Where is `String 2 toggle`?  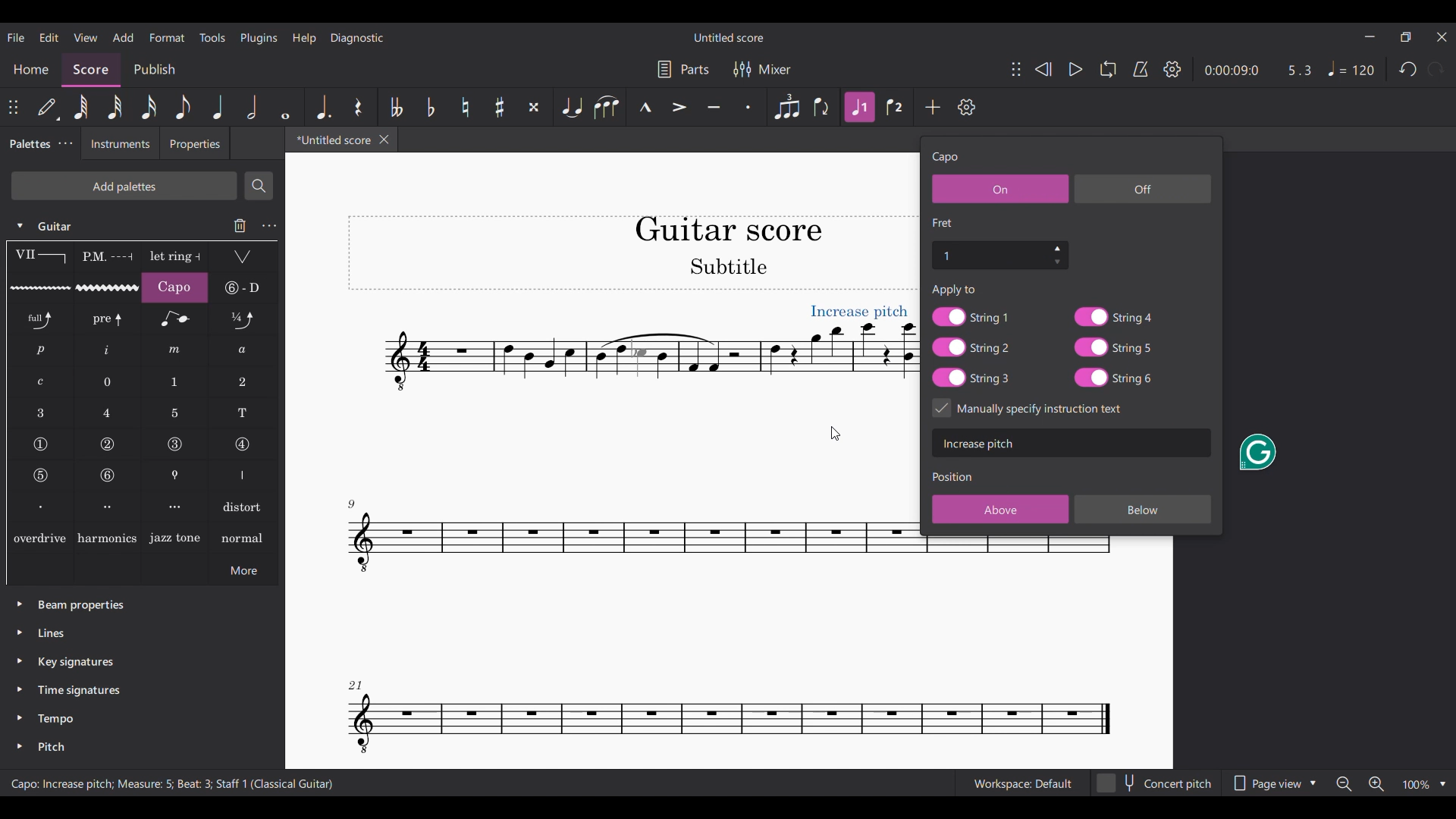
String 2 toggle is located at coordinates (972, 347).